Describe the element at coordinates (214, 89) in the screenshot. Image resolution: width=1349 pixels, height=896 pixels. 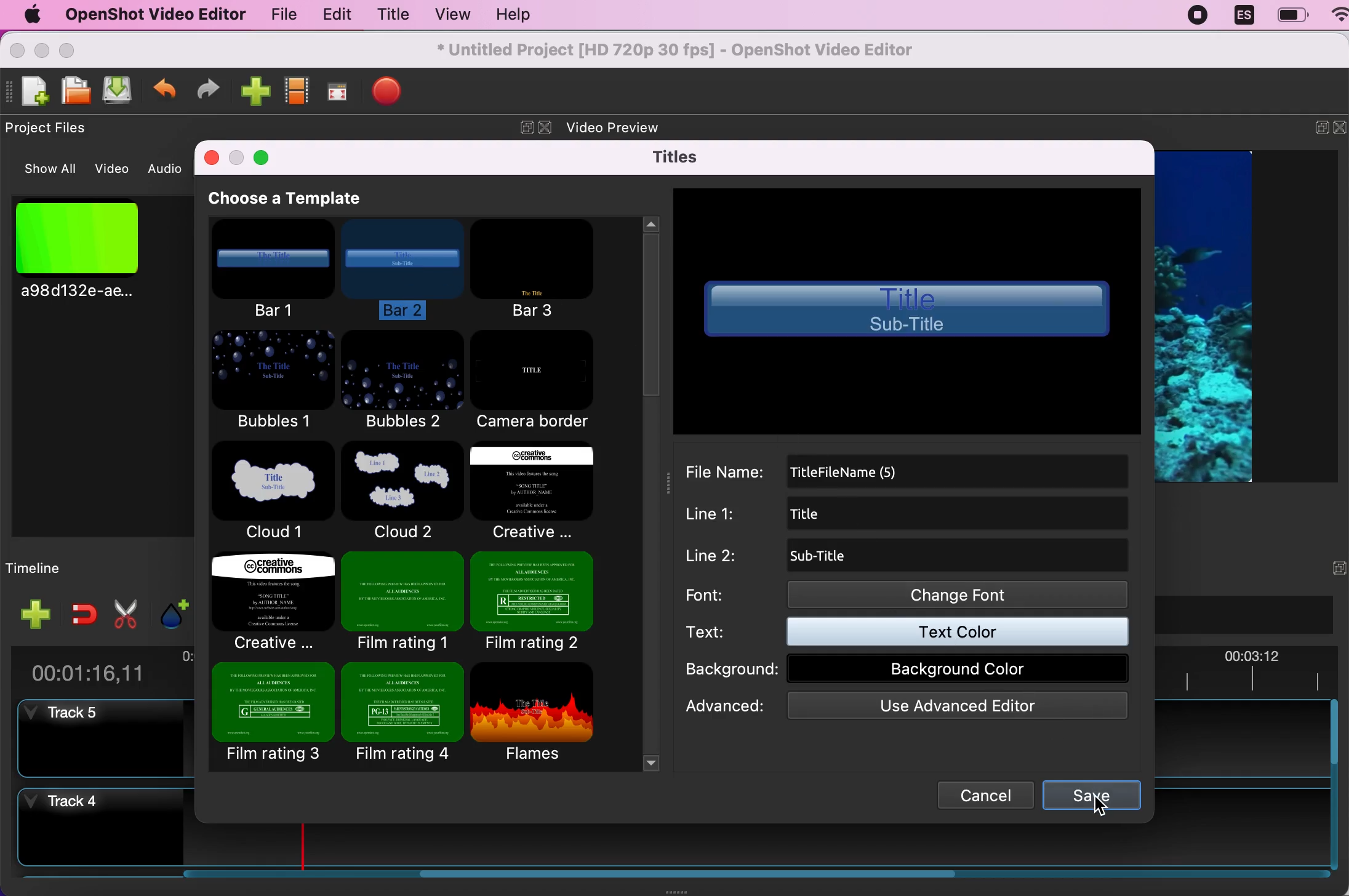
I see `redo` at that location.